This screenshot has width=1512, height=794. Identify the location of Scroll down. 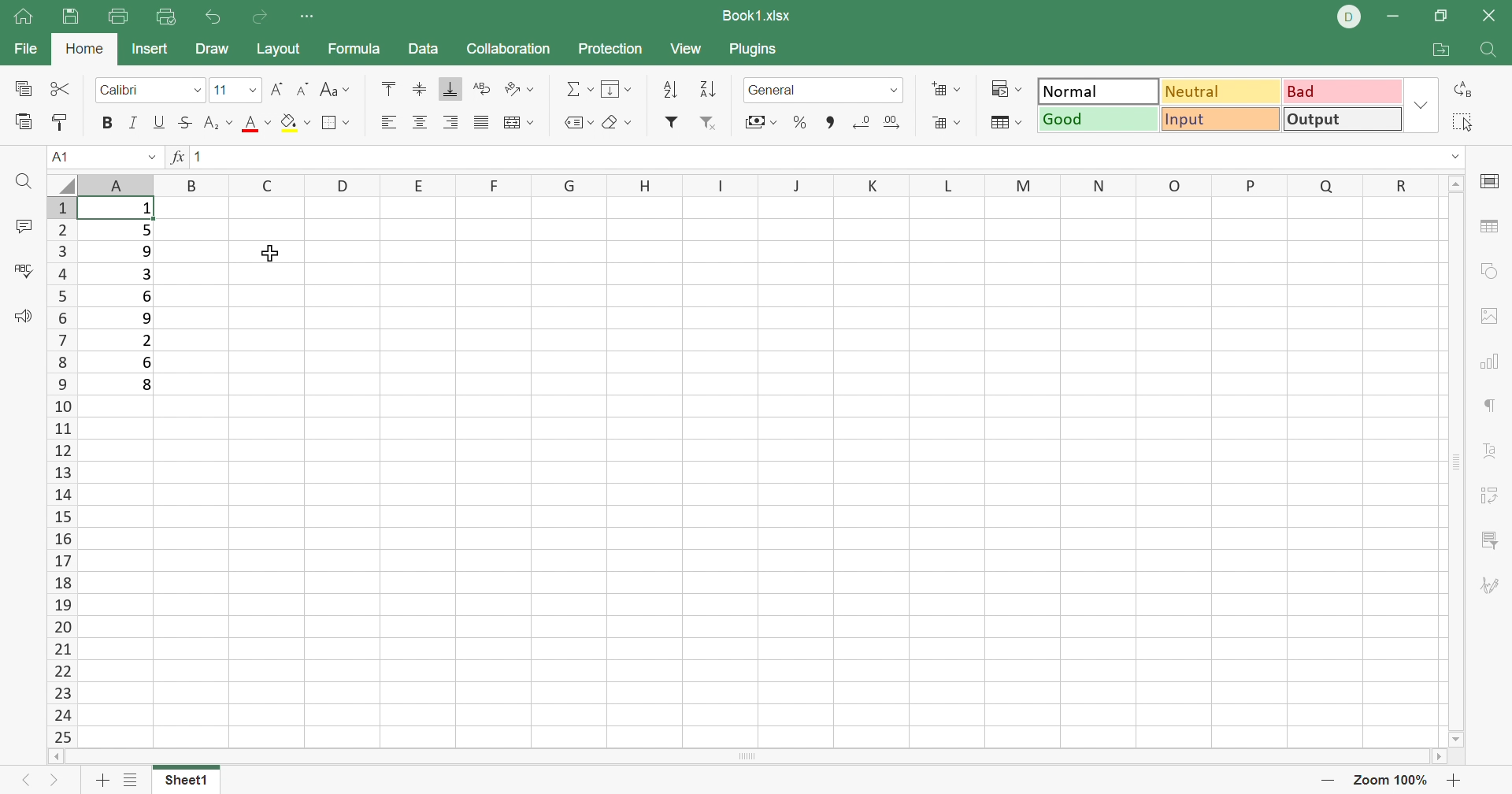
(1456, 739).